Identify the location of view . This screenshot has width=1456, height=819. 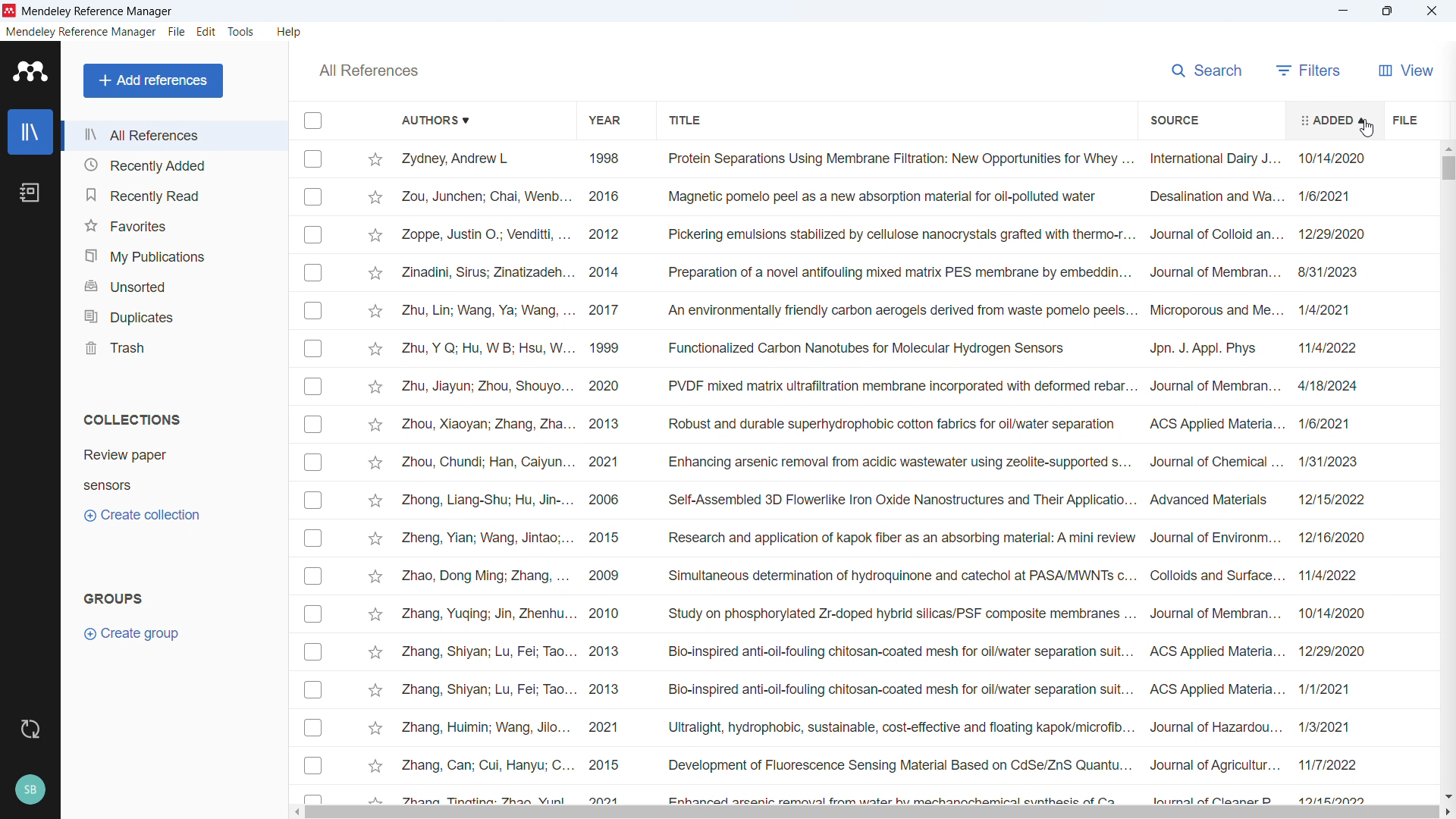
(1404, 70).